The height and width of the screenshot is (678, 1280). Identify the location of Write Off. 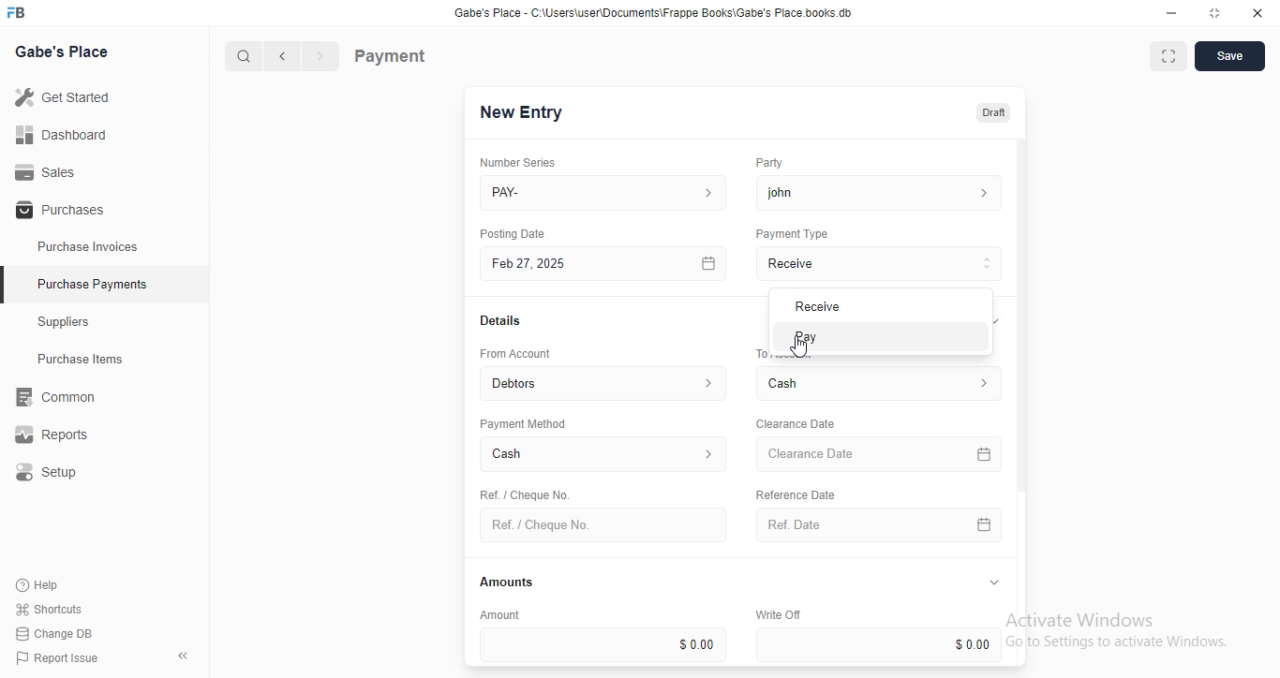
(776, 614).